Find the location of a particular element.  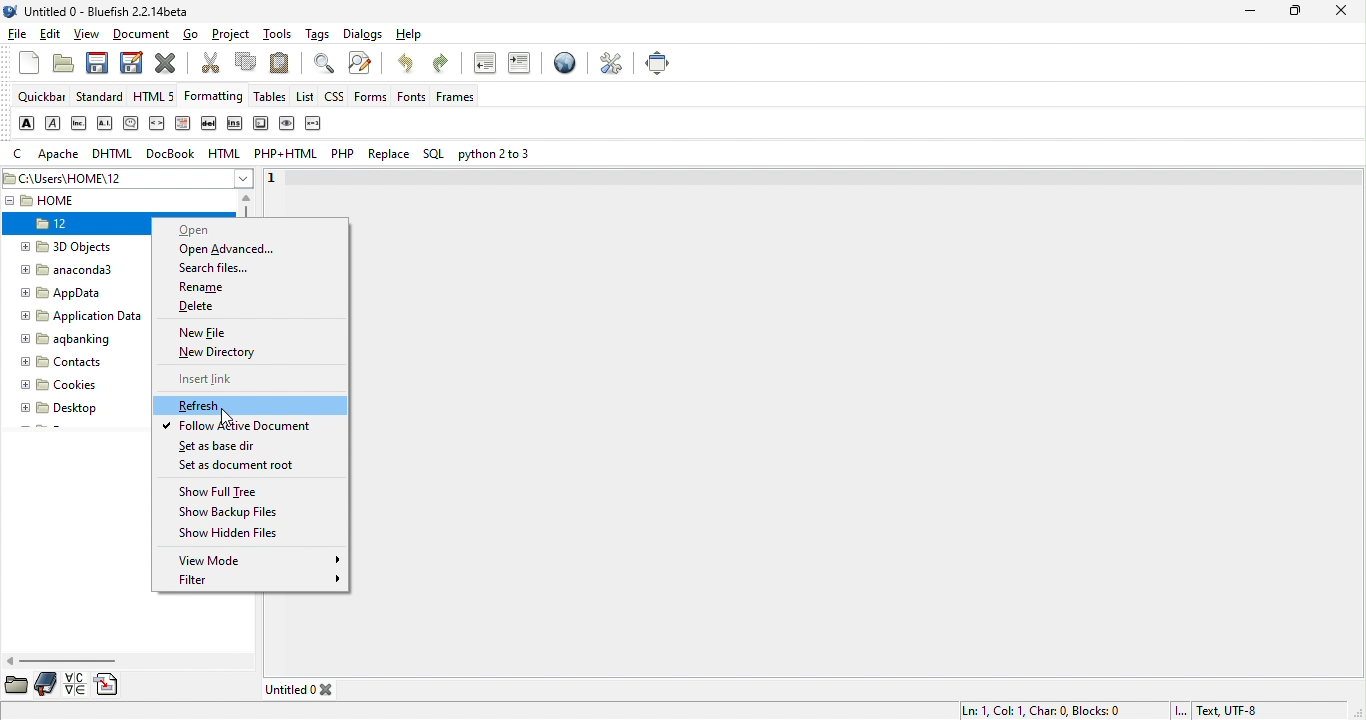

project is located at coordinates (233, 35).